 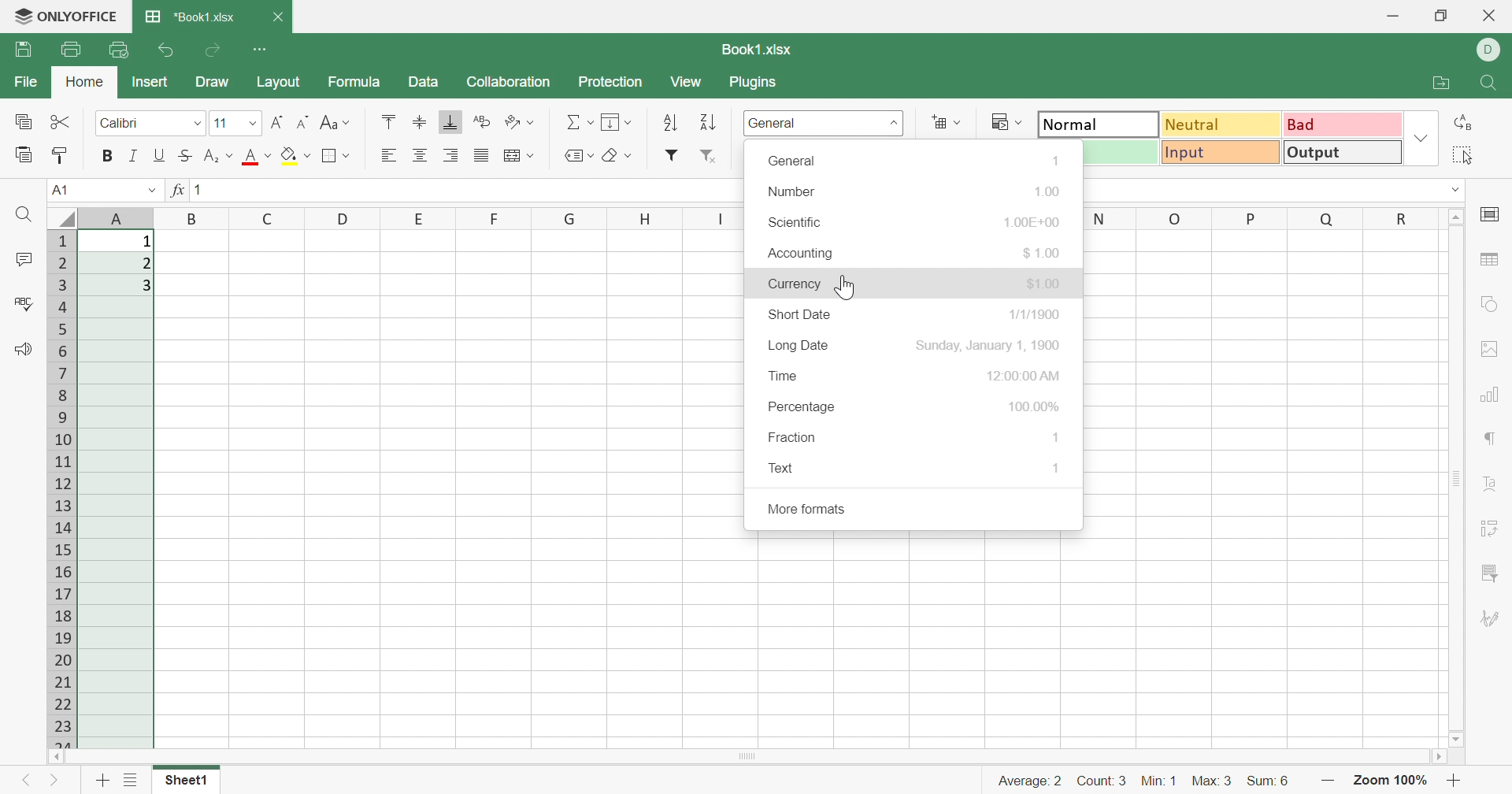 What do you see at coordinates (150, 191) in the screenshot?
I see `Drop down` at bounding box center [150, 191].